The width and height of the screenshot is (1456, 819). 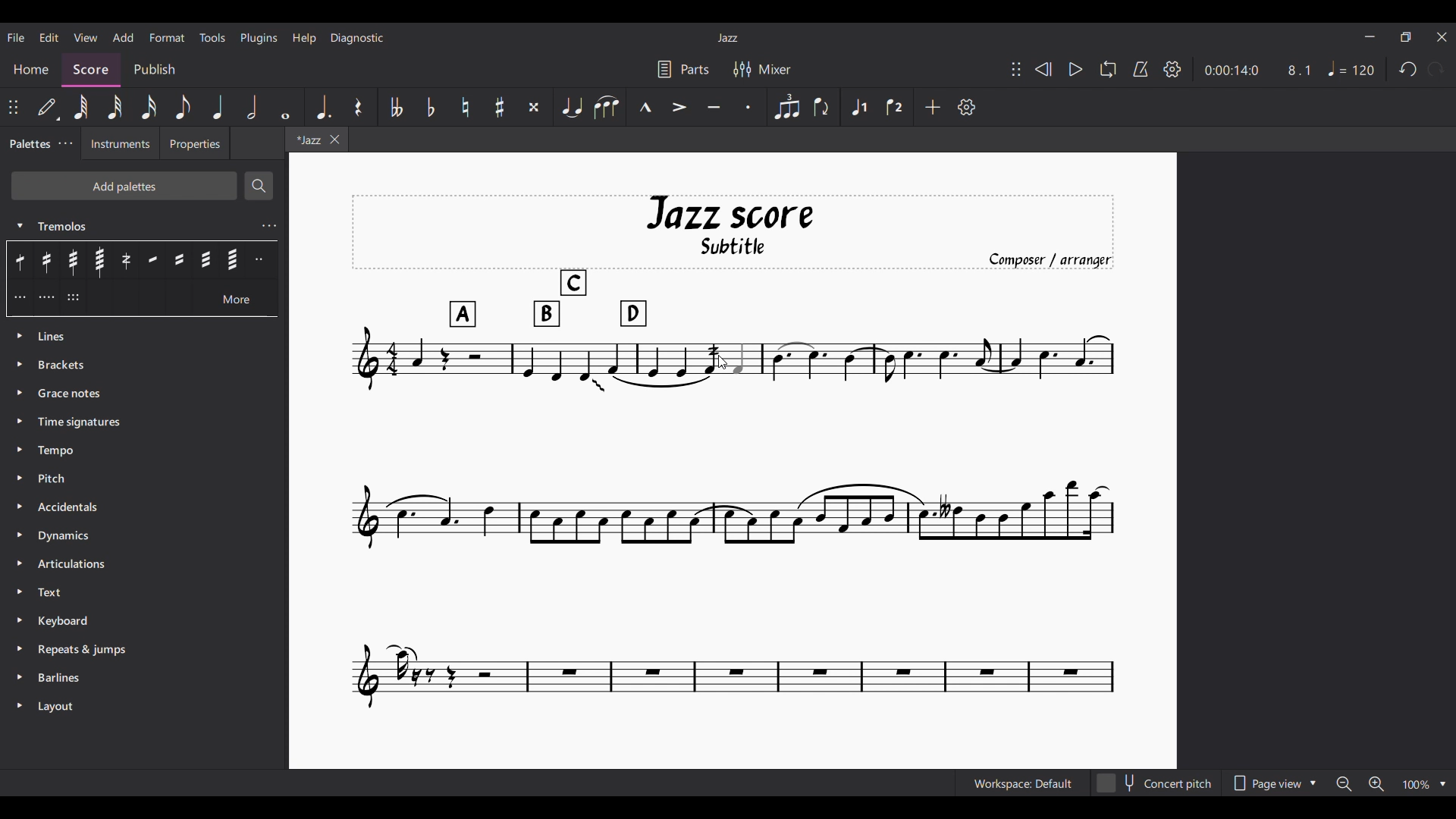 I want to click on Workspace: Default, so click(x=1023, y=783).